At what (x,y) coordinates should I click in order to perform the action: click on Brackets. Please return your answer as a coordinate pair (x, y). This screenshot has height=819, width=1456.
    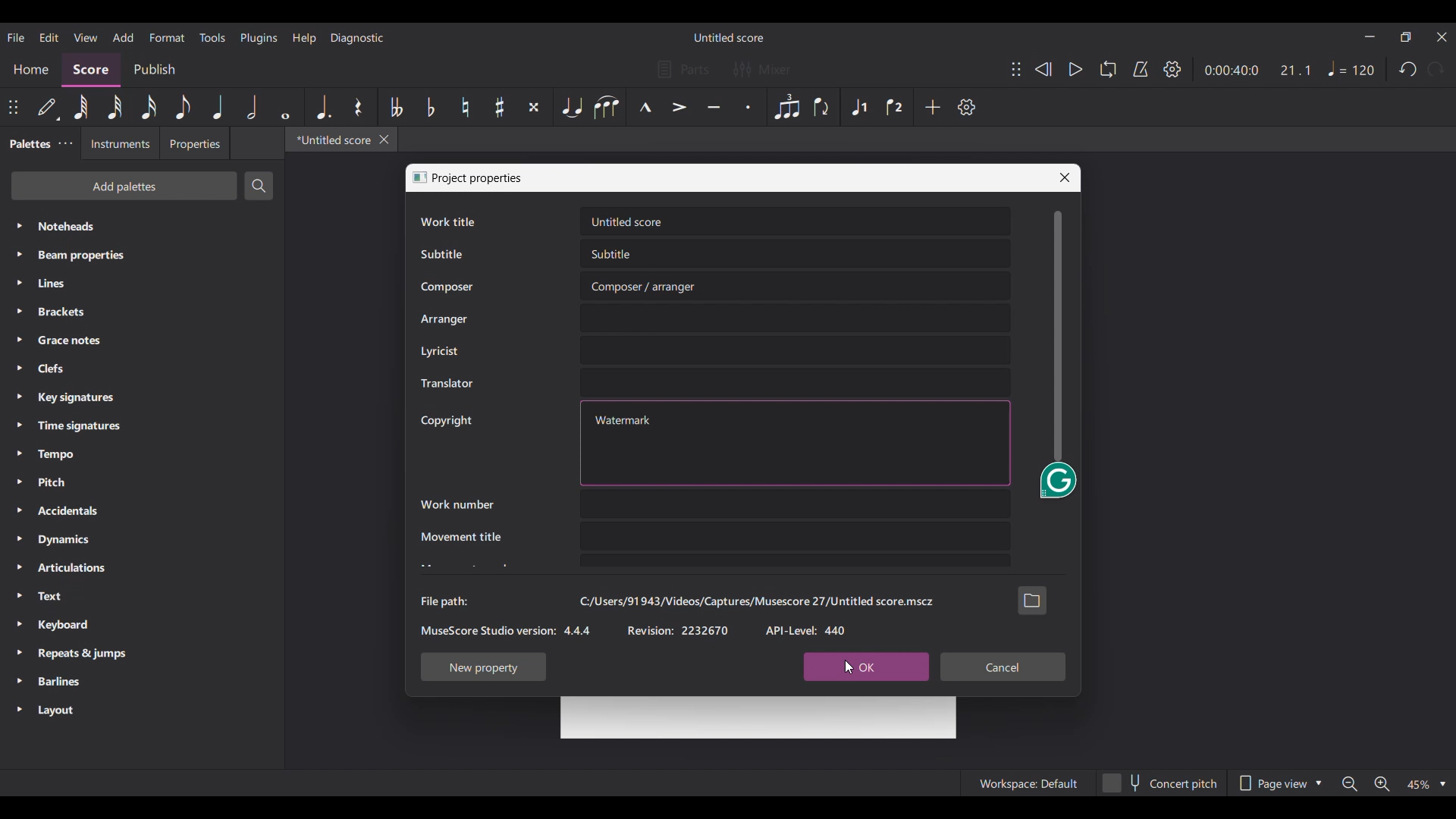
    Looking at the image, I should click on (142, 312).